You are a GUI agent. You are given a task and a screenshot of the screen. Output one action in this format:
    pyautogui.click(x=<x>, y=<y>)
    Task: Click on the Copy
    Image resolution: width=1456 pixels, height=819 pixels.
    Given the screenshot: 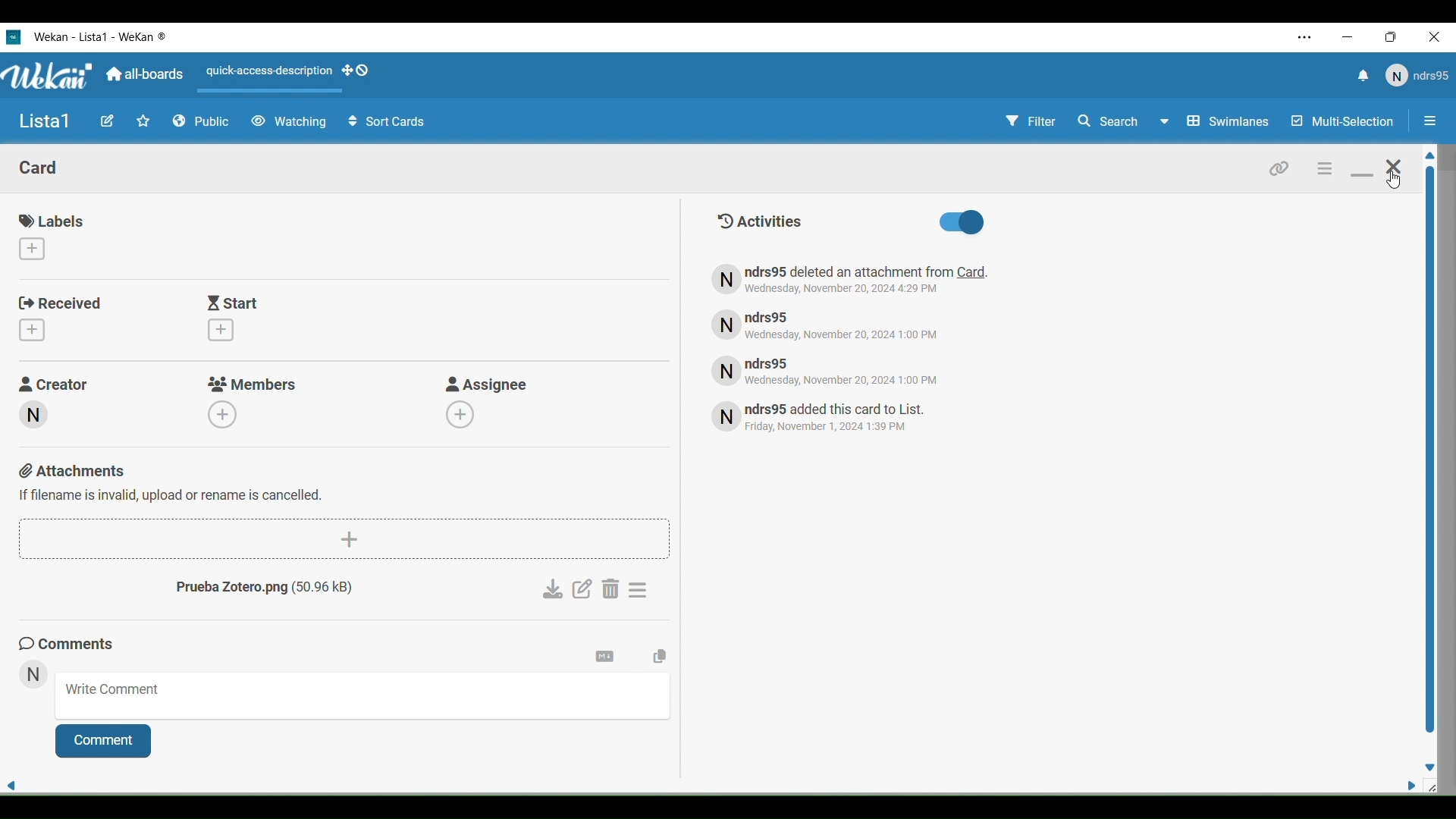 What is the action you would take?
    pyautogui.click(x=660, y=657)
    